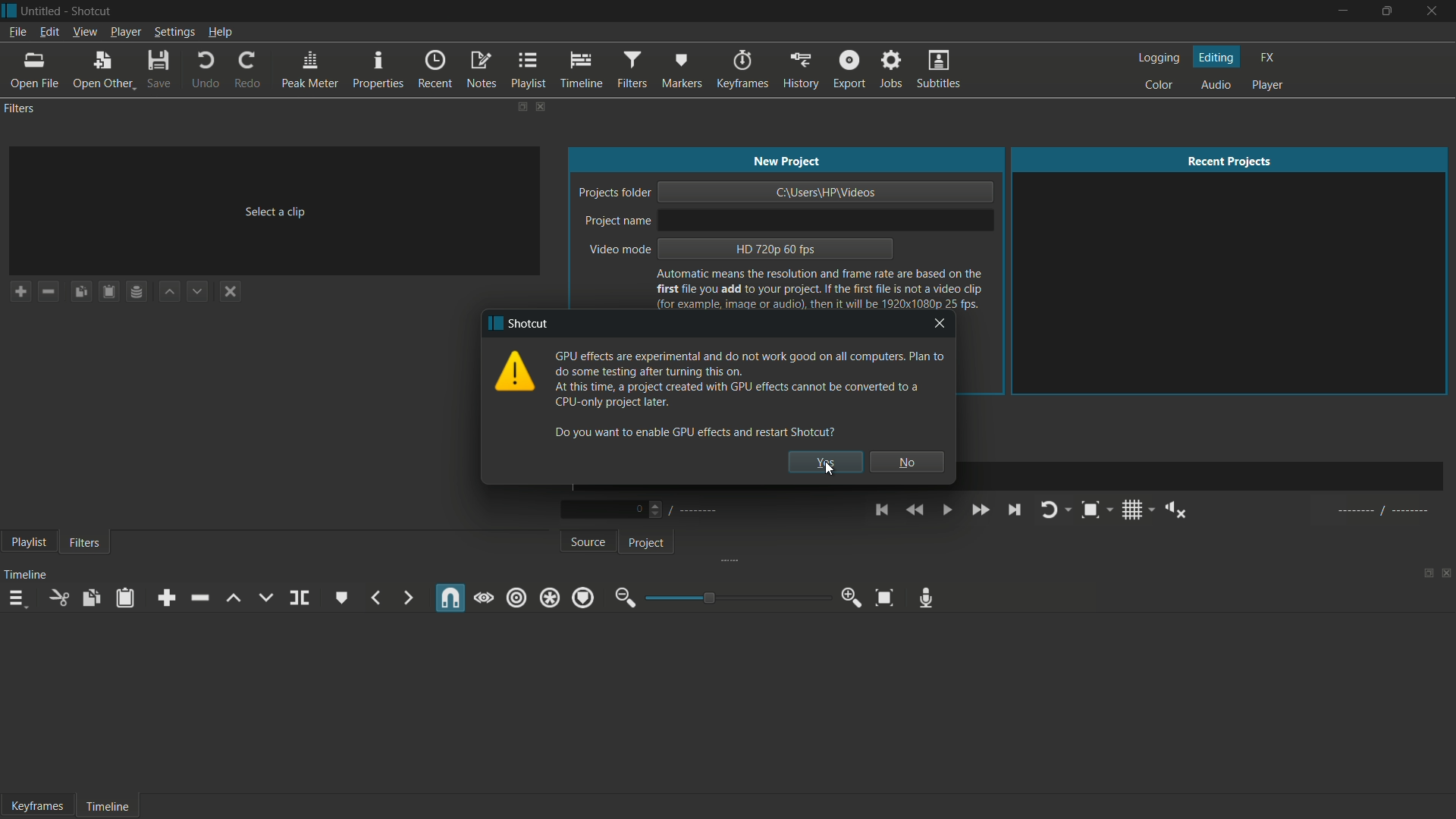 This screenshot has width=1456, height=819. I want to click on add a filter, so click(20, 291).